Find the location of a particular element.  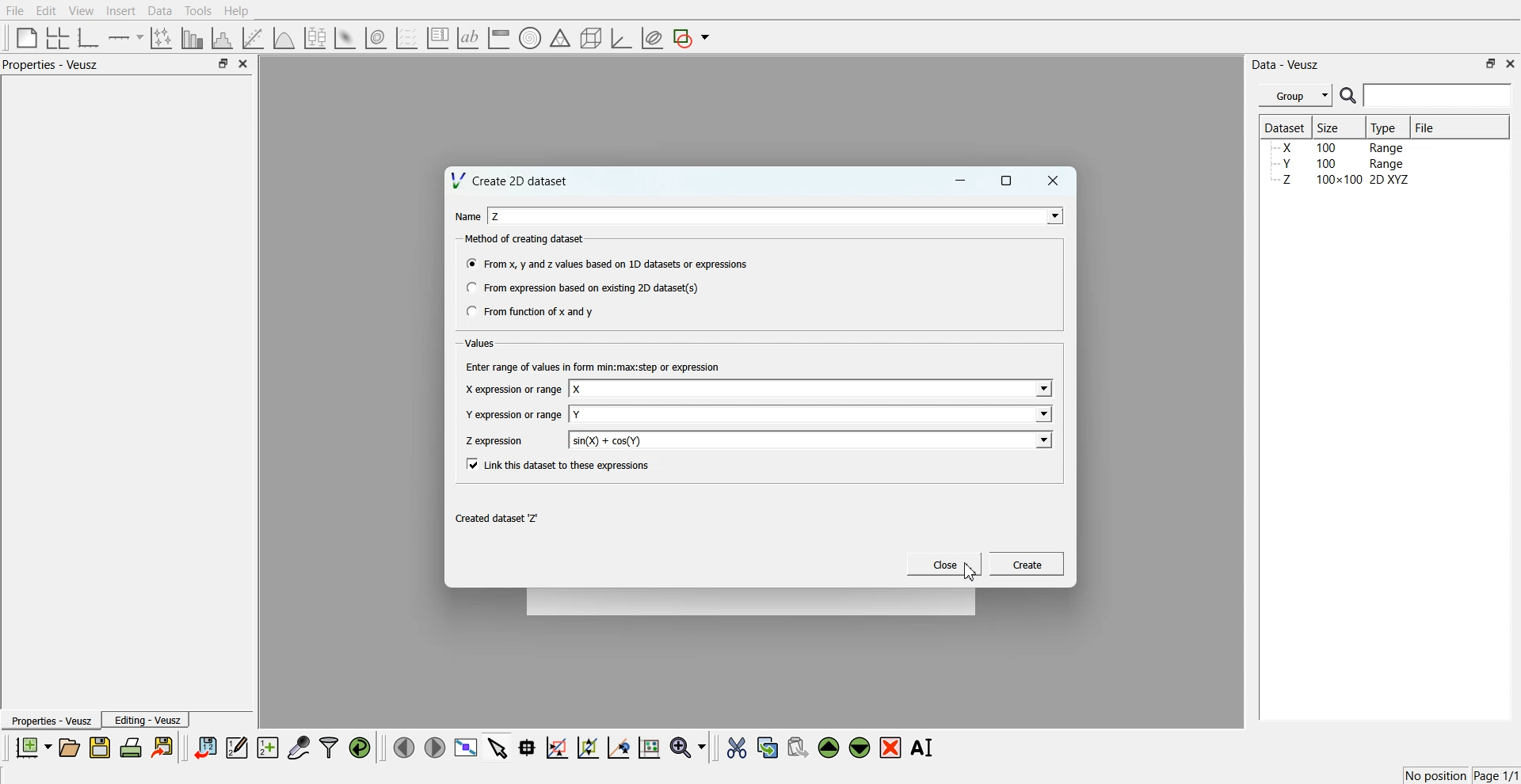

Drop down is located at coordinates (1051, 215).